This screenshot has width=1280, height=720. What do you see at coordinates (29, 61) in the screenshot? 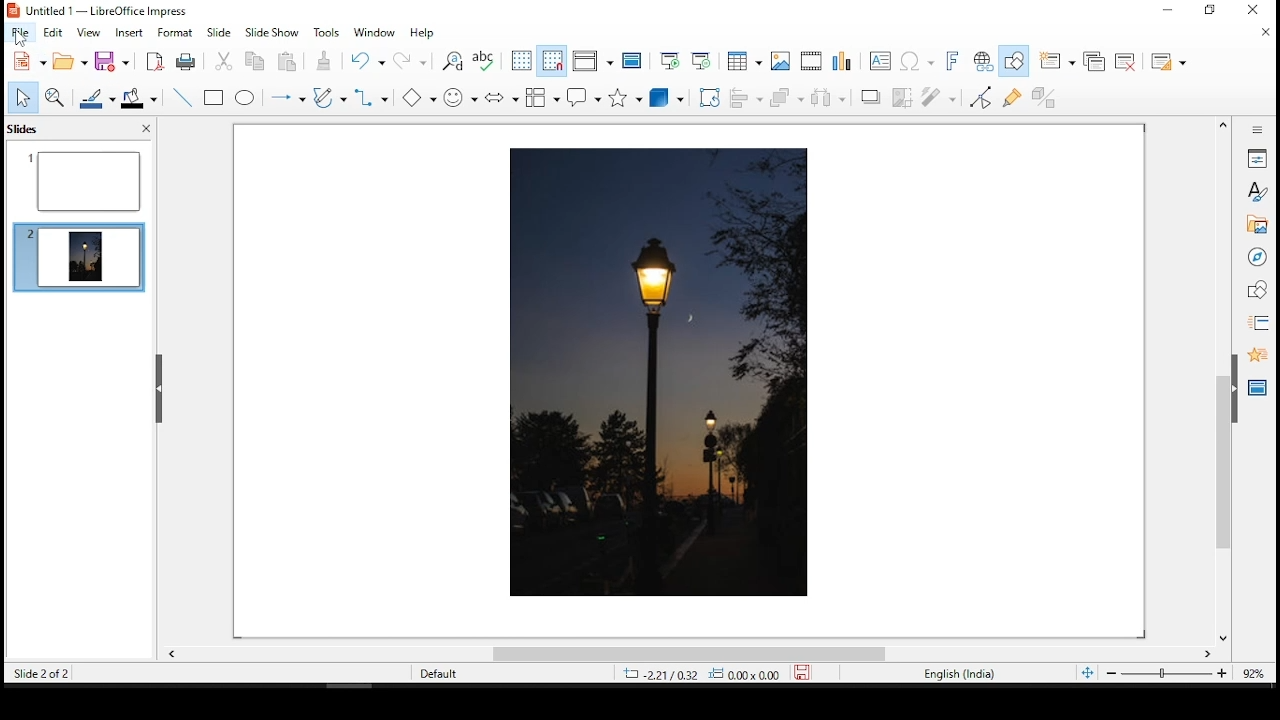
I see `new` at bounding box center [29, 61].